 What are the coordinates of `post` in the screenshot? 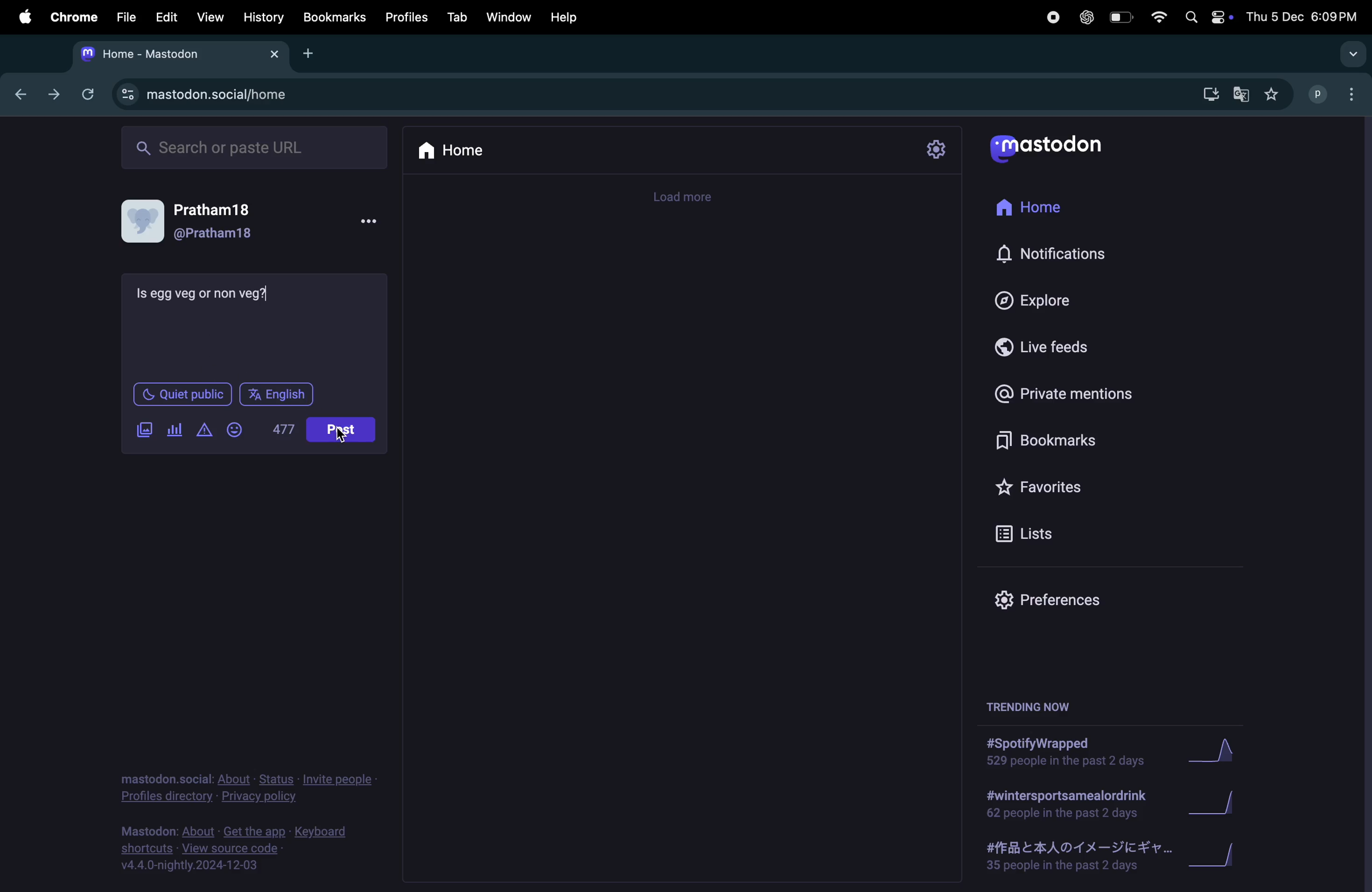 It's located at (344, 428).